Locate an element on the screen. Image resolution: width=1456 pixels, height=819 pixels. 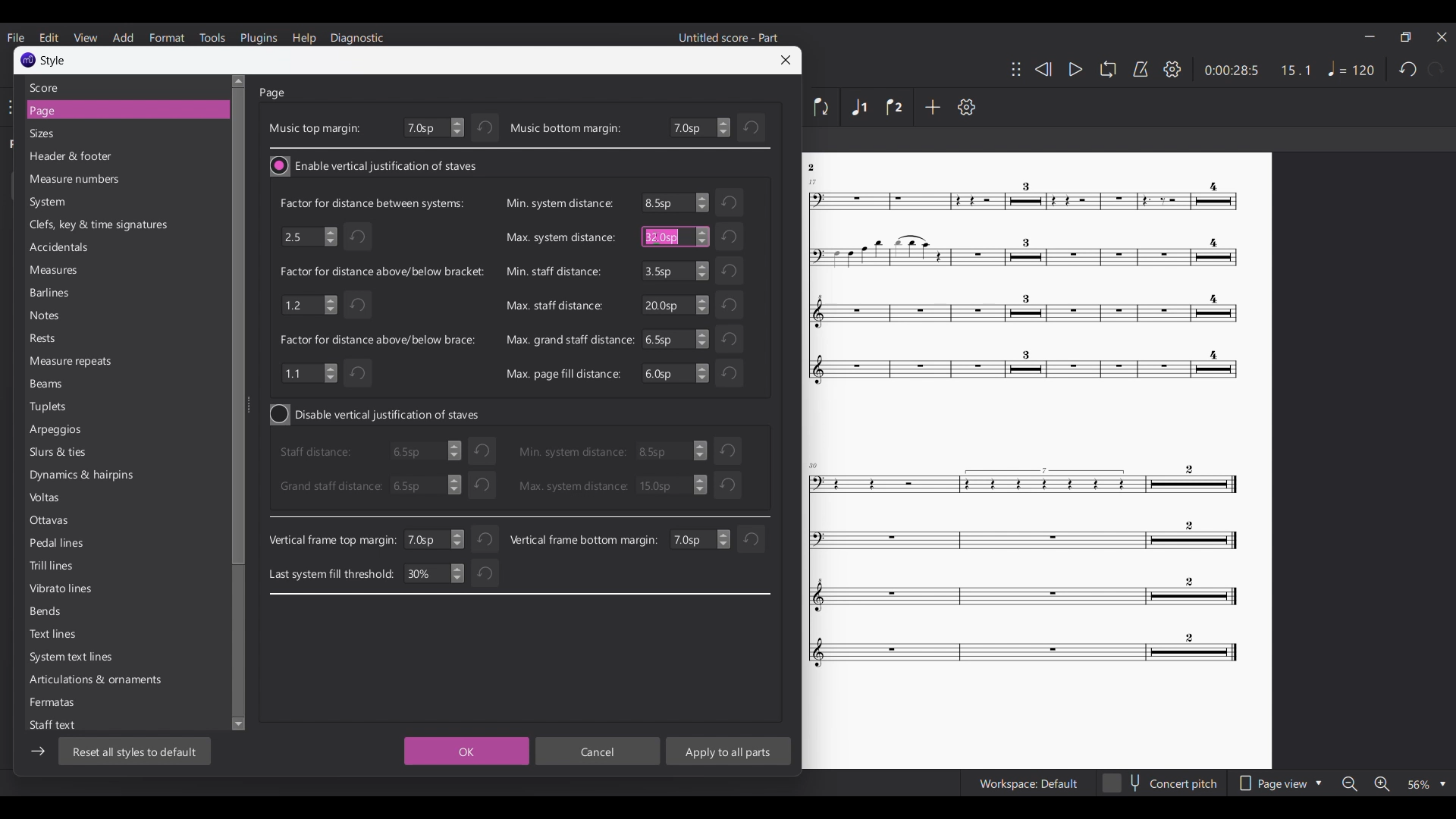
Grand staff distance is located at coordinates (329, 486).